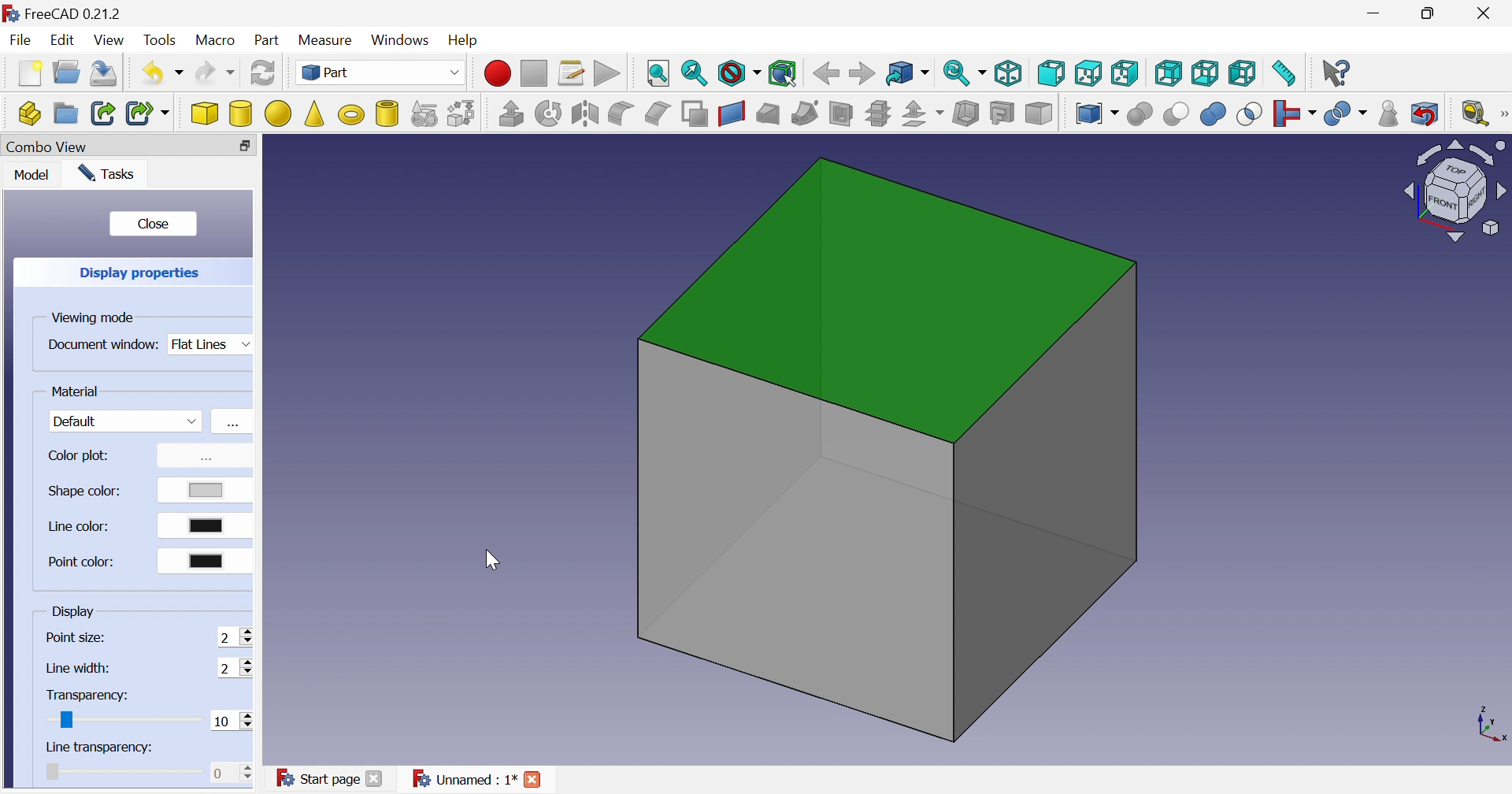  What do you see at coordinates (550, 113) in the screenshot?
I see `Revolve` at bounding box center [550, 113].